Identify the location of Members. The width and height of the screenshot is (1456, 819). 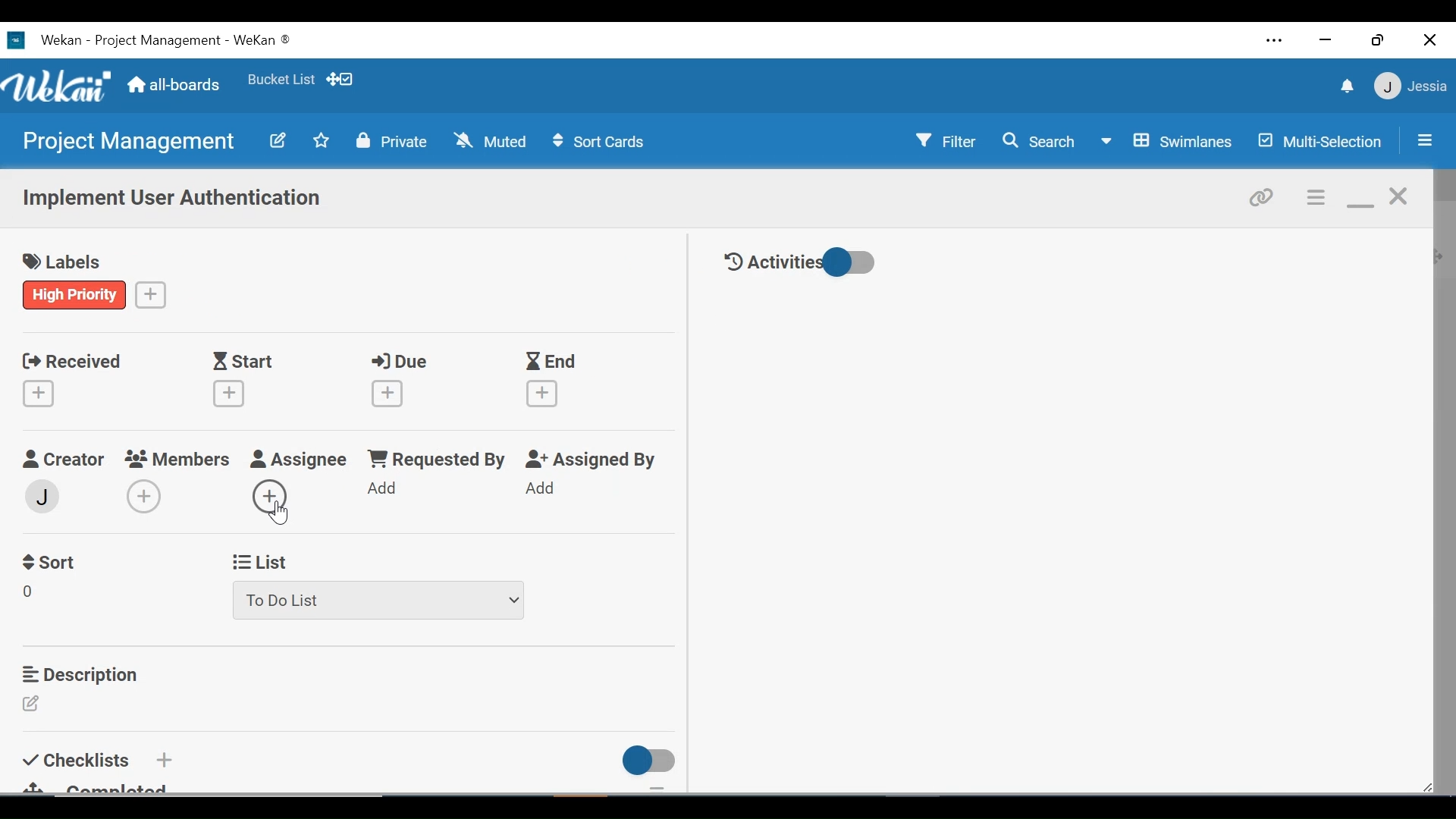
(179, 458).